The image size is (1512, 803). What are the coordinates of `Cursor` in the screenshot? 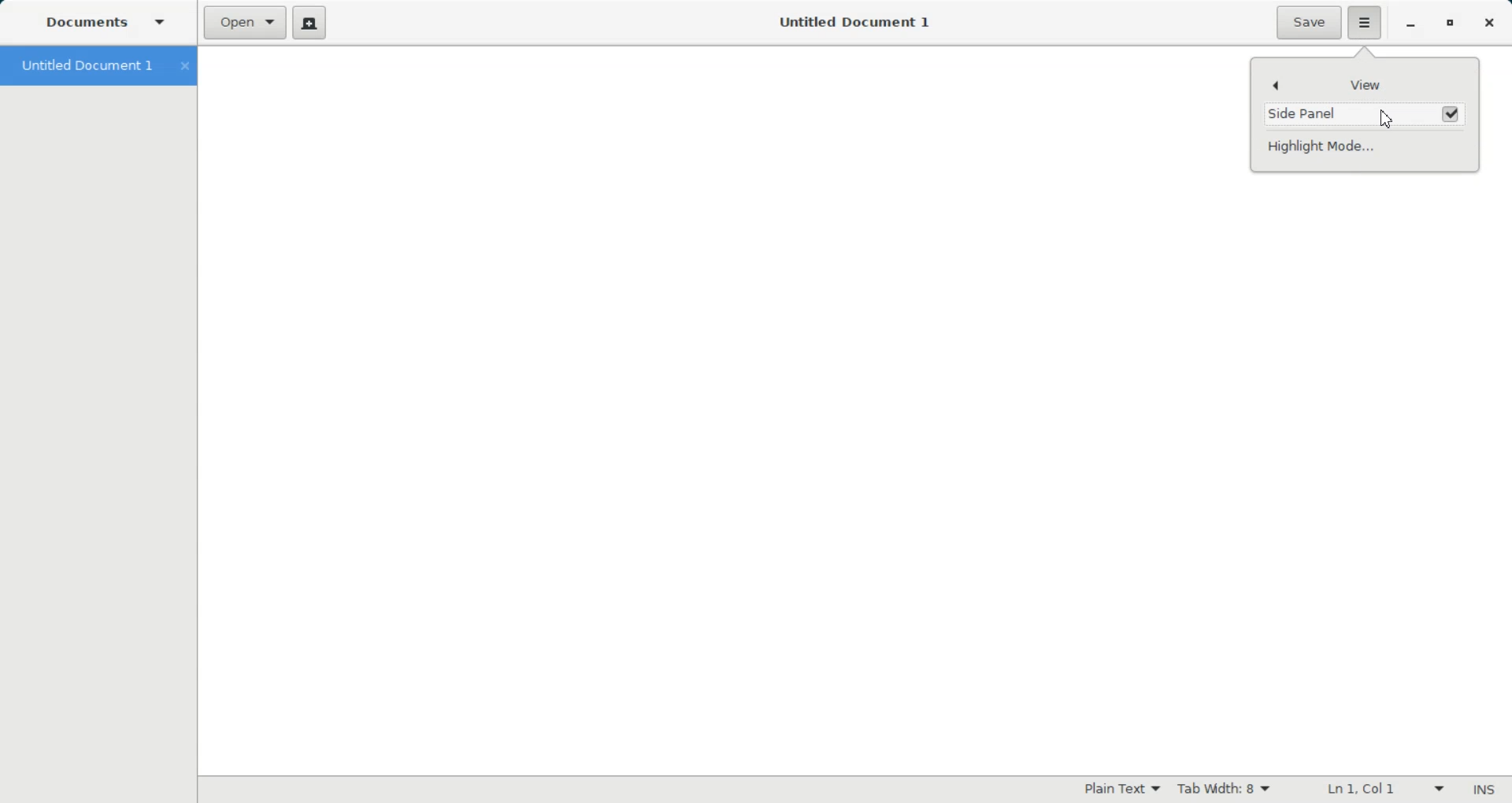 It's located at (1386, 117).